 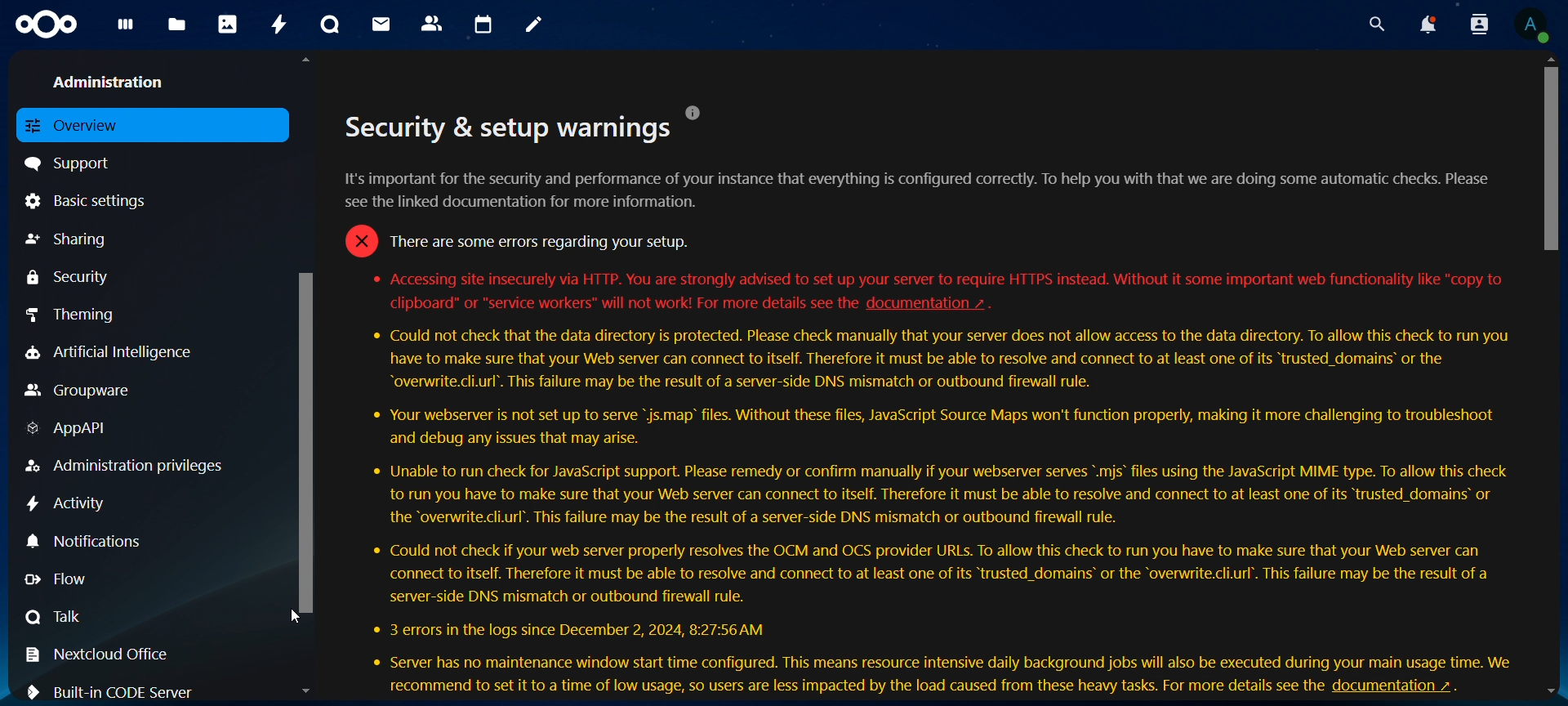 I want to click on security, so click(x=70, y=277).